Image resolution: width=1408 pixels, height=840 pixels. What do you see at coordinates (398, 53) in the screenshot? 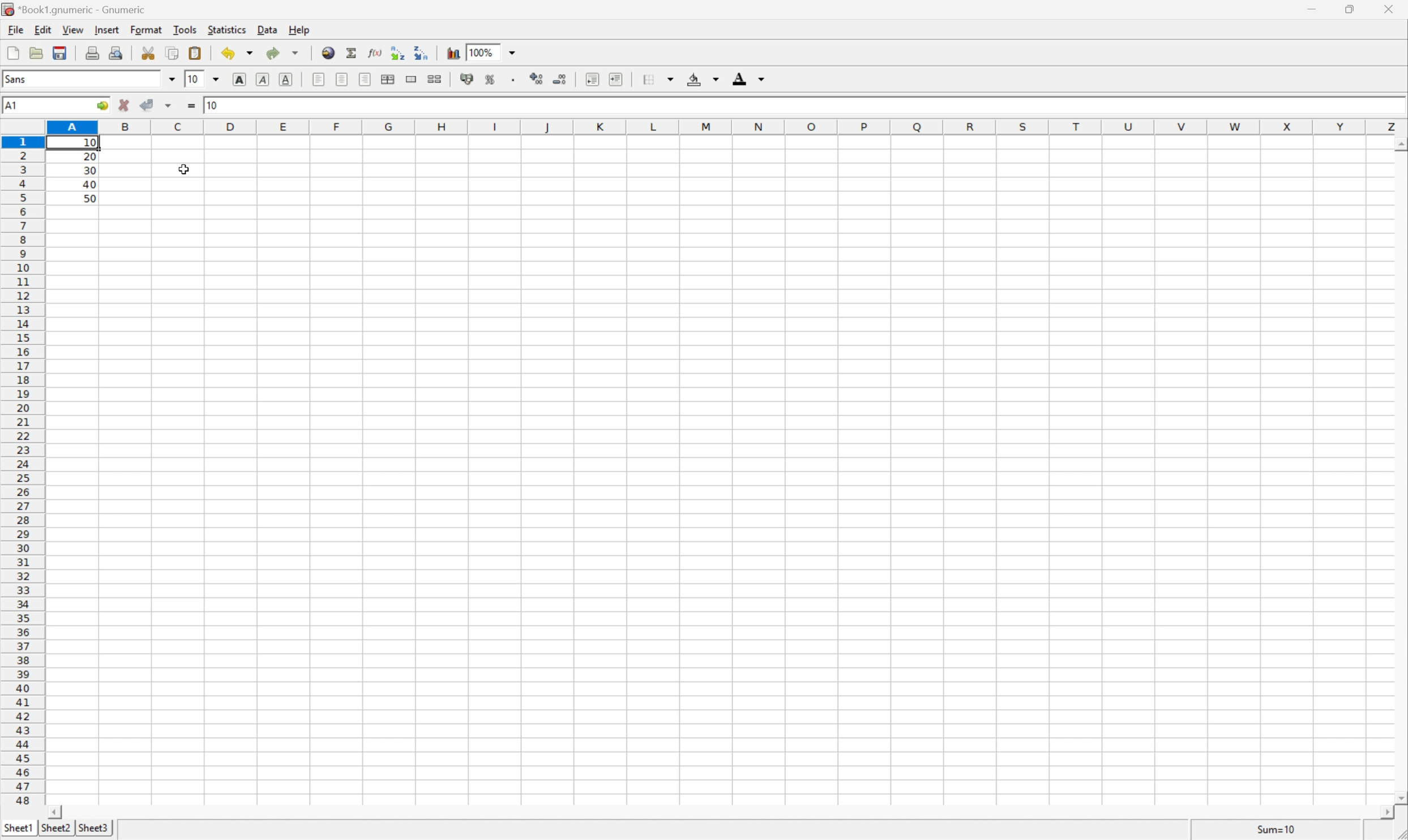
I see `Sort the selected region in ascending order based on the first column selected` at bounding box center [398, 53].